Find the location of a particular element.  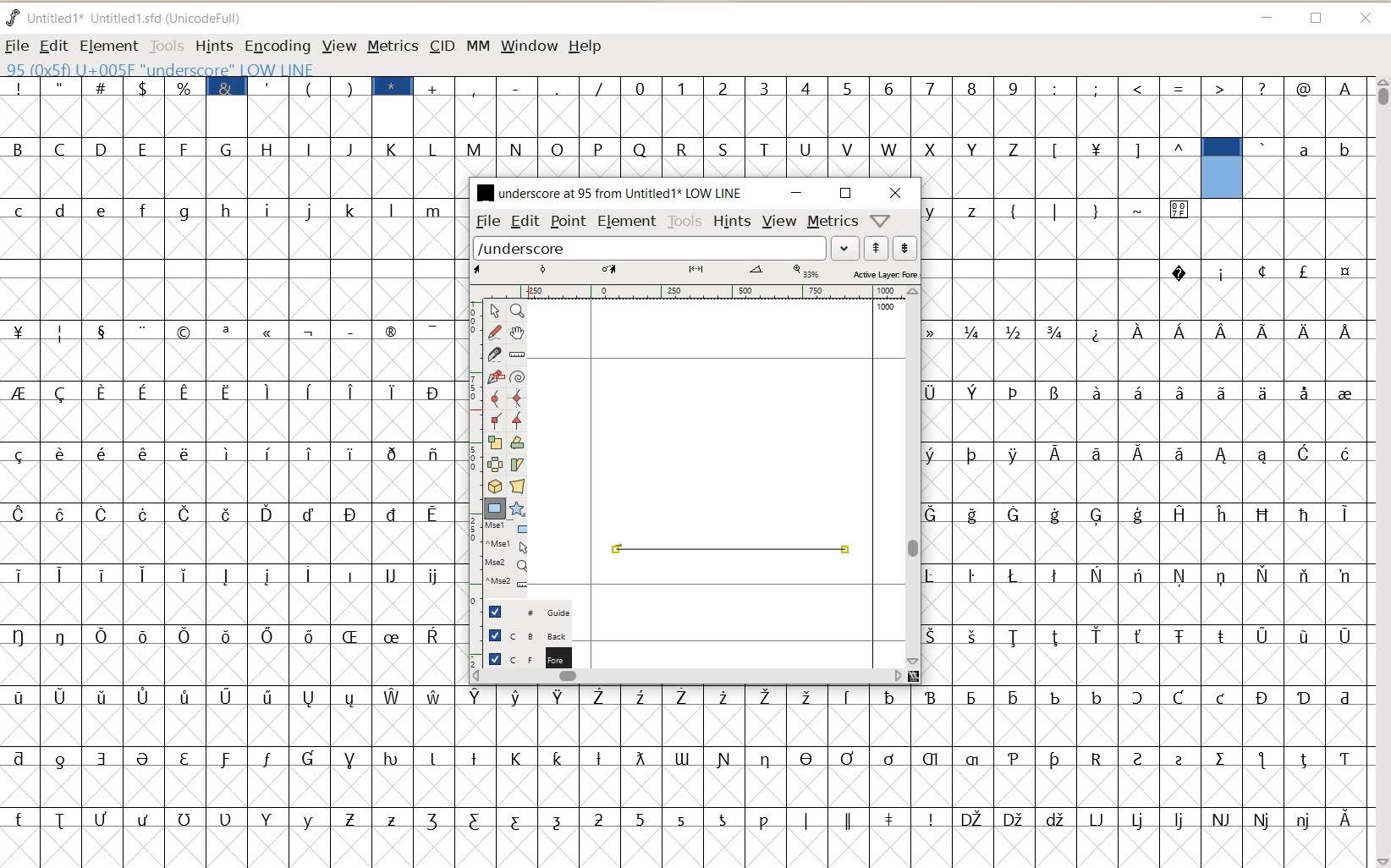

SCROLLBAR is located at coordinates (687, 675).